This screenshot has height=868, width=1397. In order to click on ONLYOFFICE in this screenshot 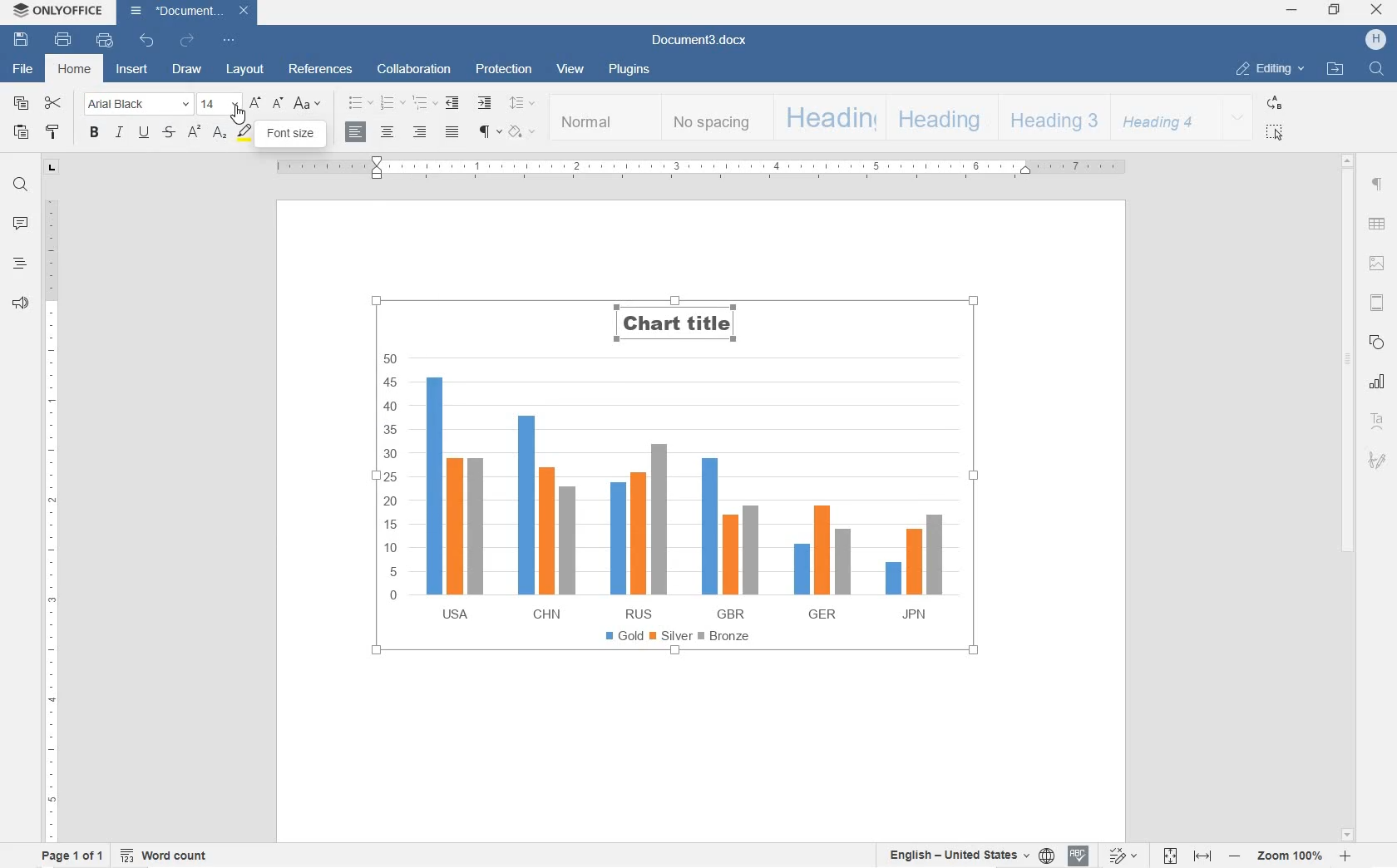, I will do `click(58, 11)`.